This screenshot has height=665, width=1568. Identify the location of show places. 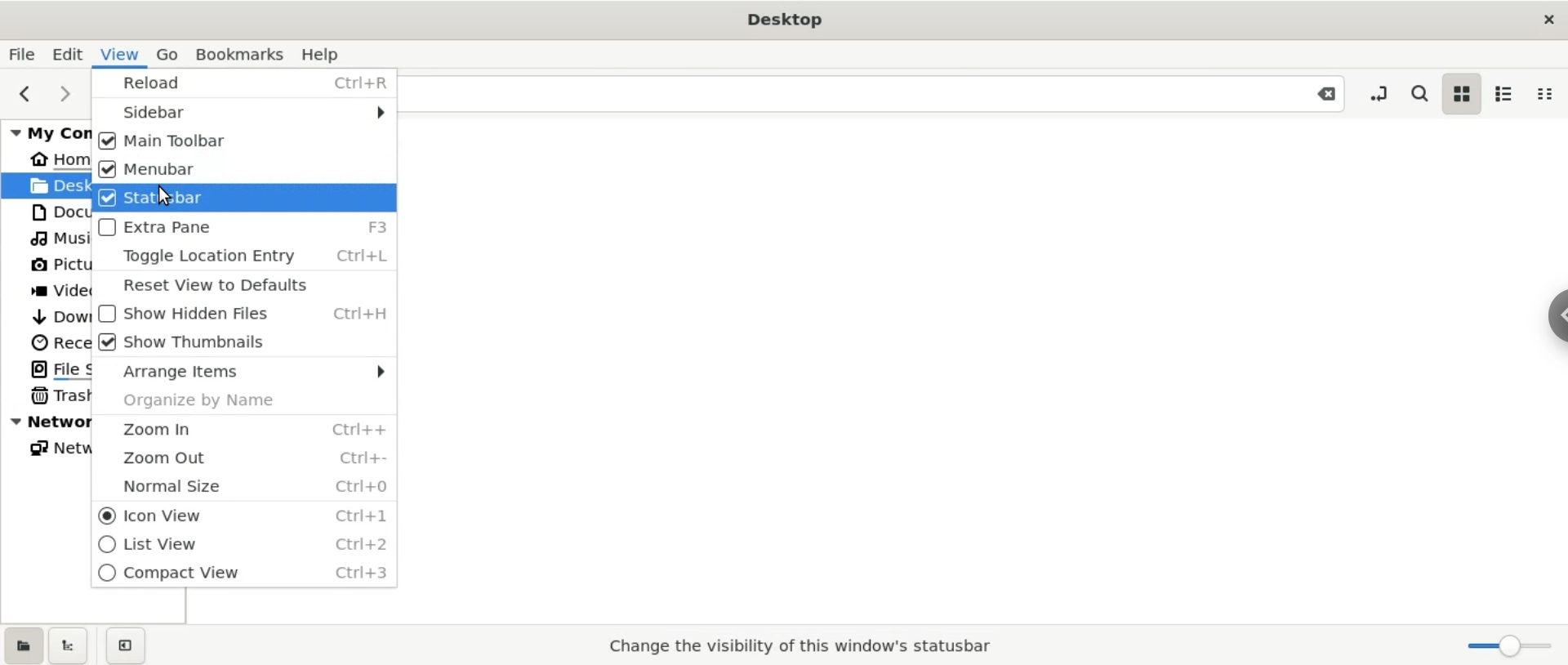
(21, 645).